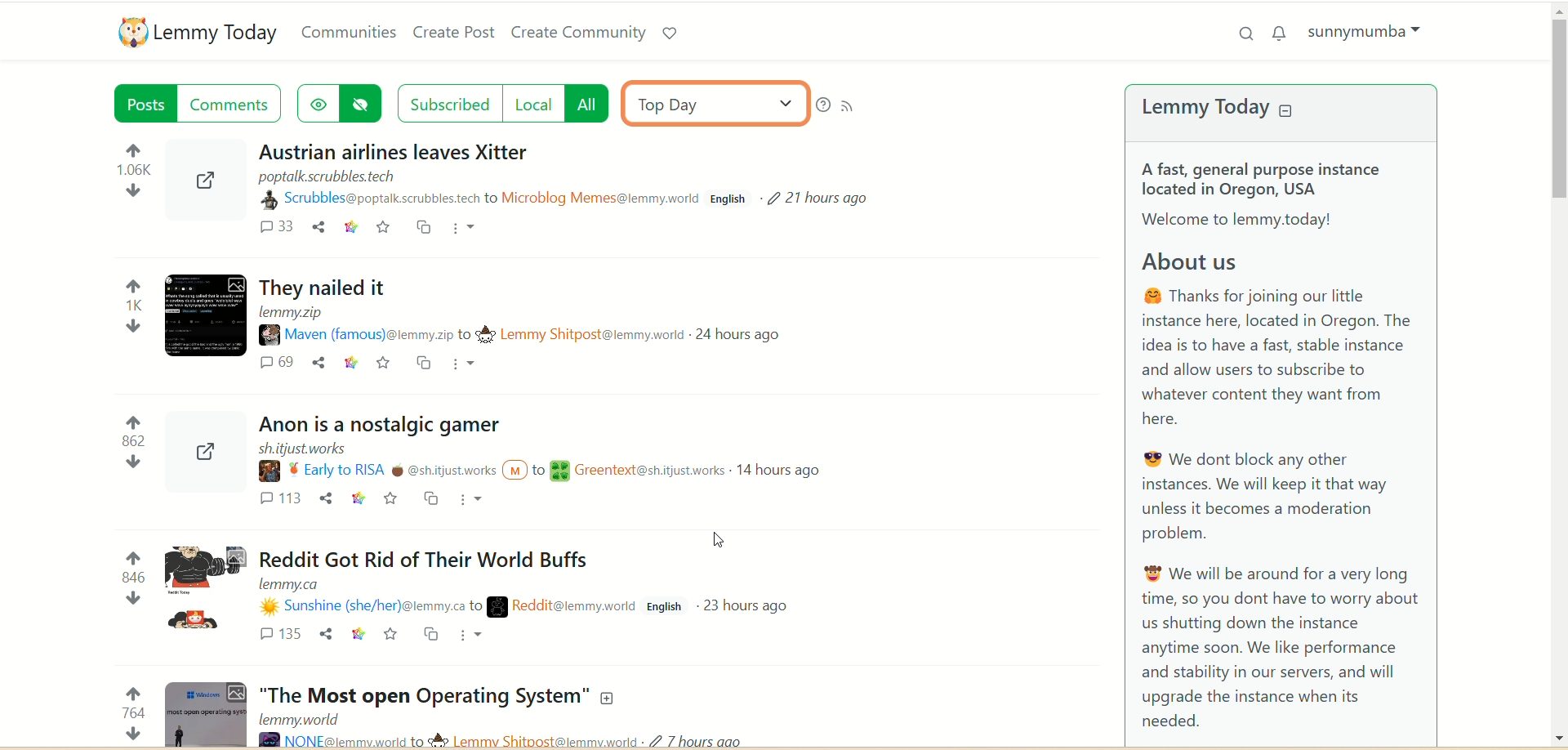 The width and height of the screenshot is (1568, 750). I want to click on show hidden posts, so click(318, 100).